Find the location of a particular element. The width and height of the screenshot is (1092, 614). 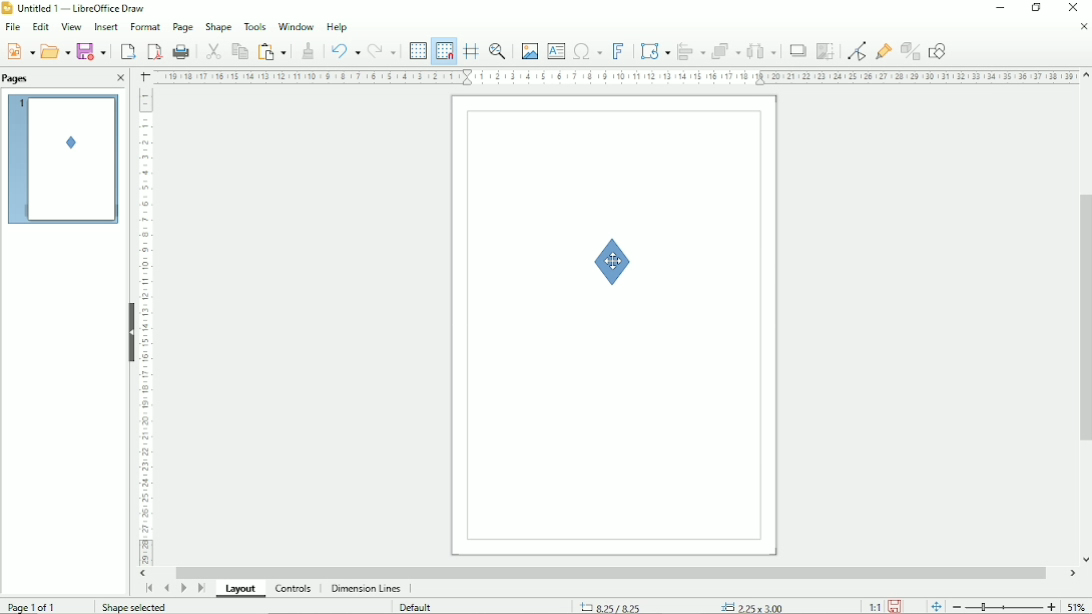

Horizontal scrollbar is located at coordinates (610, 572).